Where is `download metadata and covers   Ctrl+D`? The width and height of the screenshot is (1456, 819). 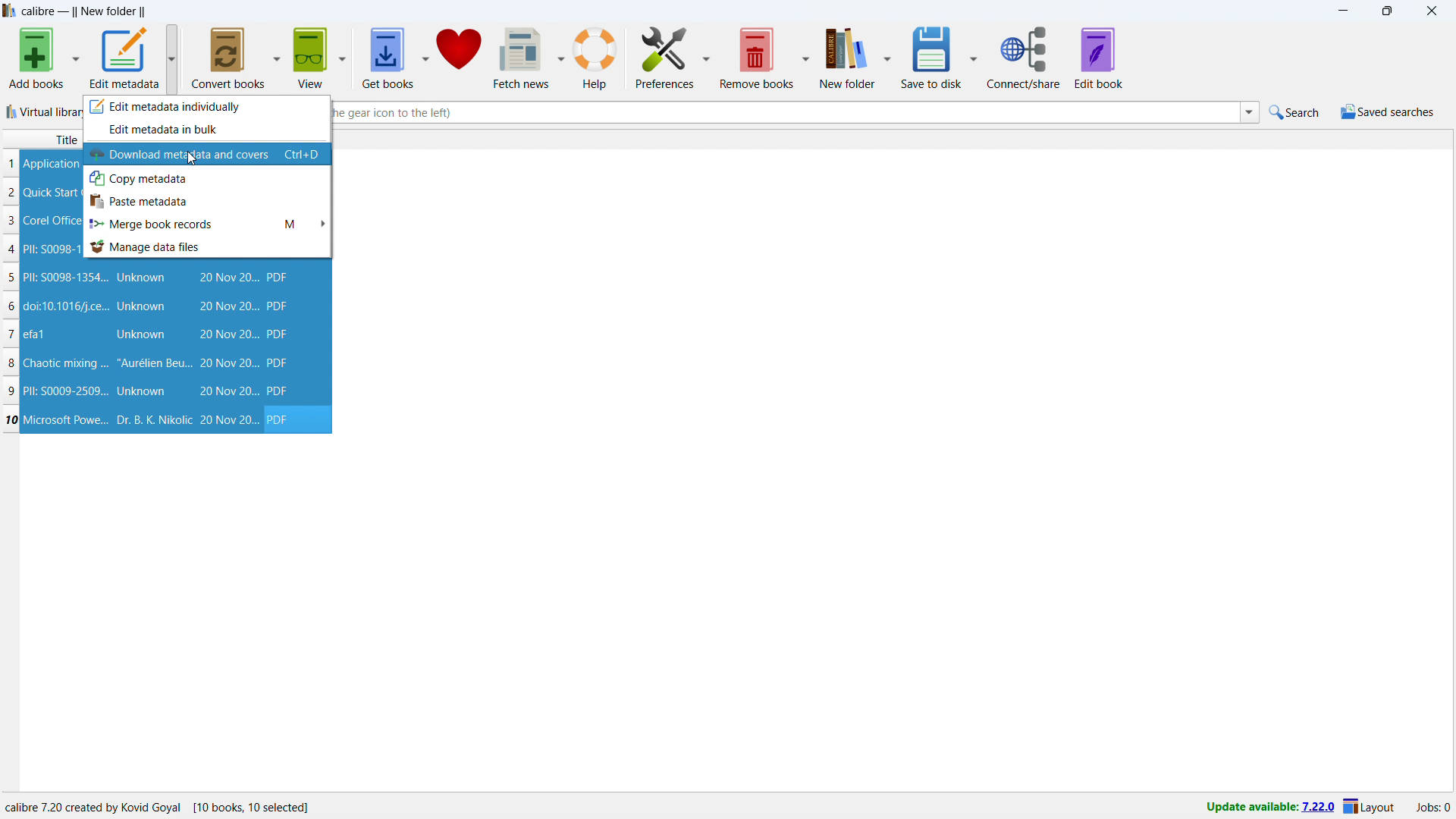
download metadata and covers   Ctrl+D is located at coordinates (207, 154).